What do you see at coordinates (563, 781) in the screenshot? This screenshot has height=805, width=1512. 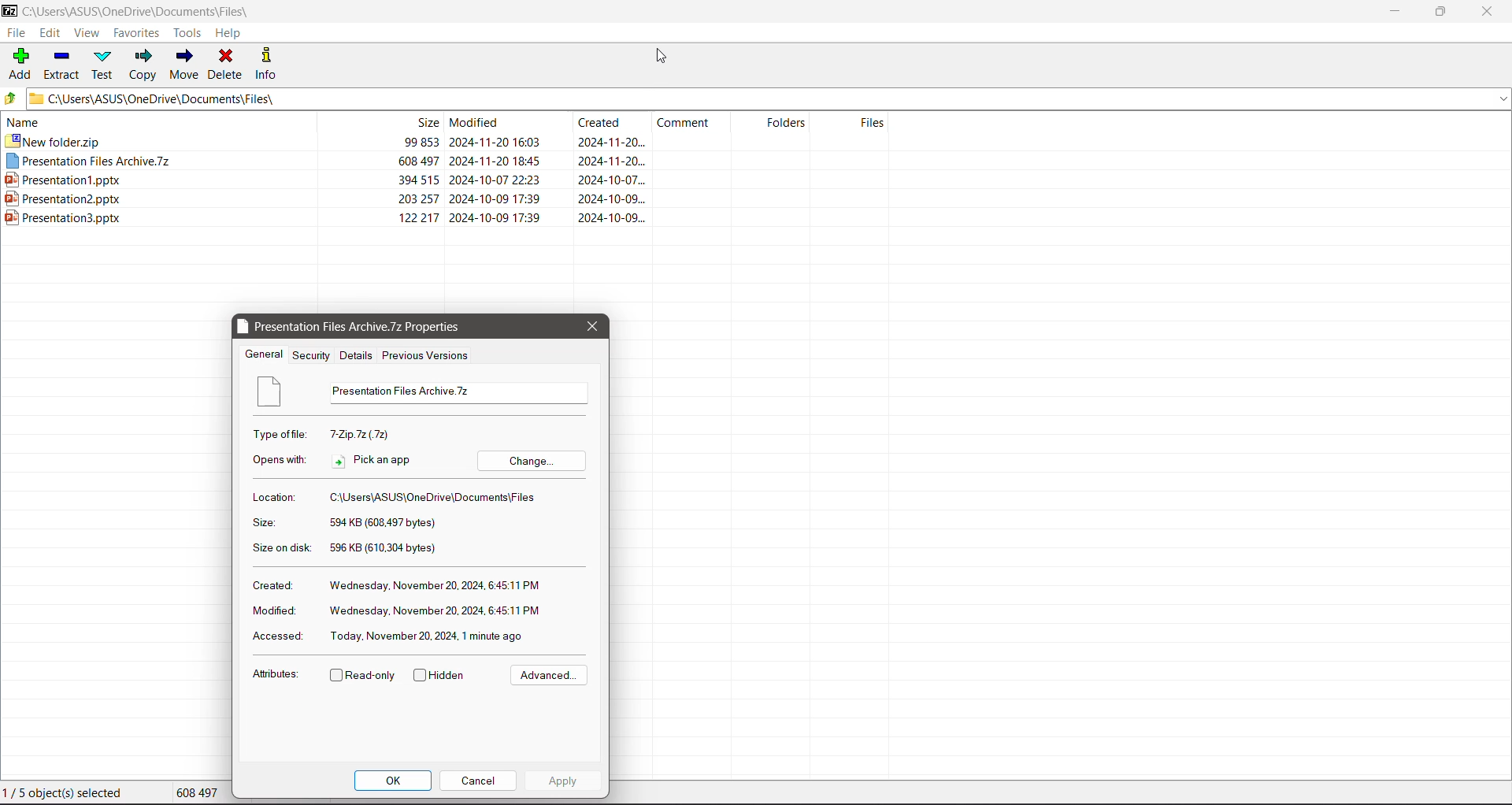 I see `Apply` at bounding box center [563, 781].